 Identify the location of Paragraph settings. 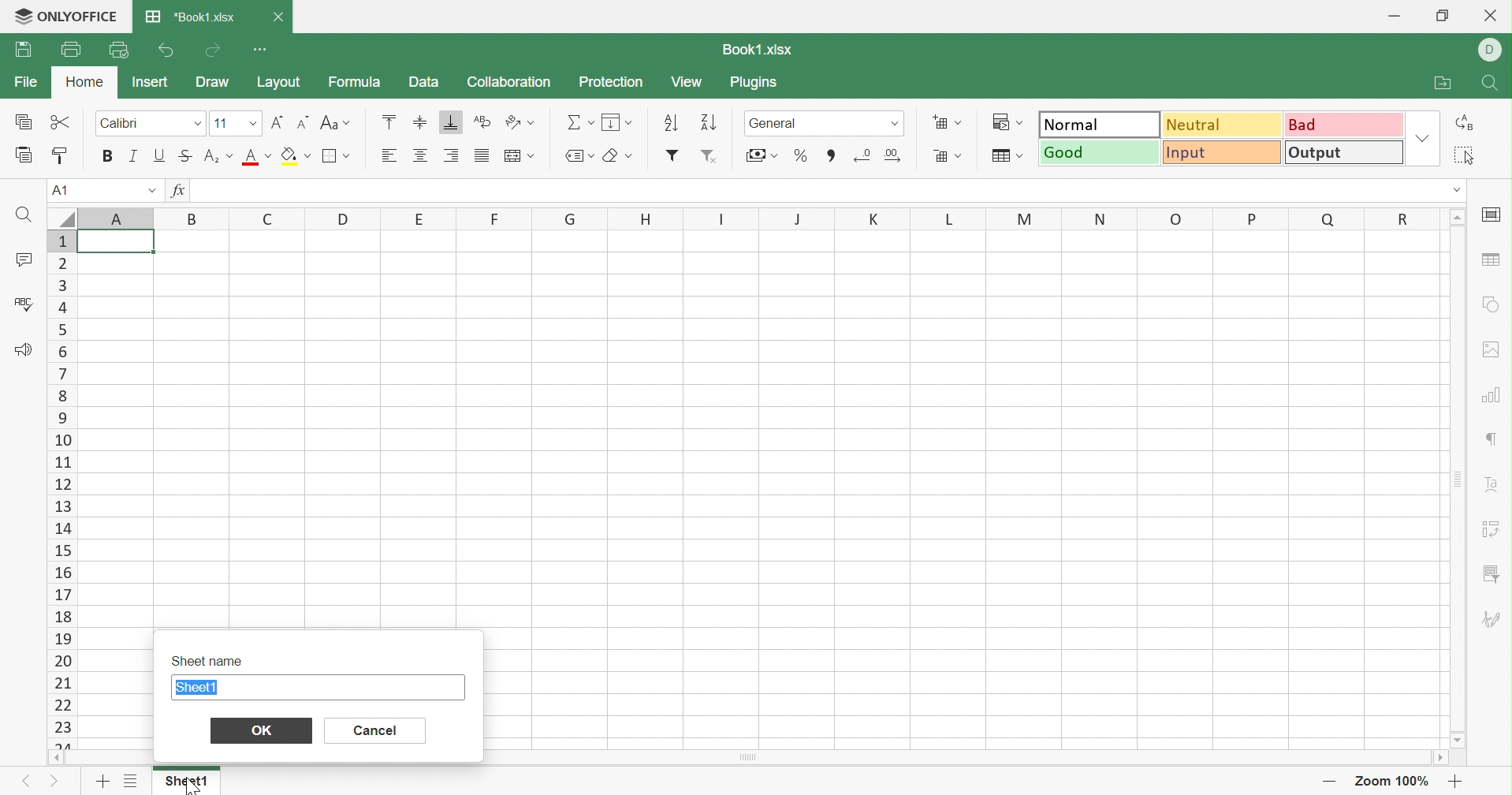
(1491, 437).